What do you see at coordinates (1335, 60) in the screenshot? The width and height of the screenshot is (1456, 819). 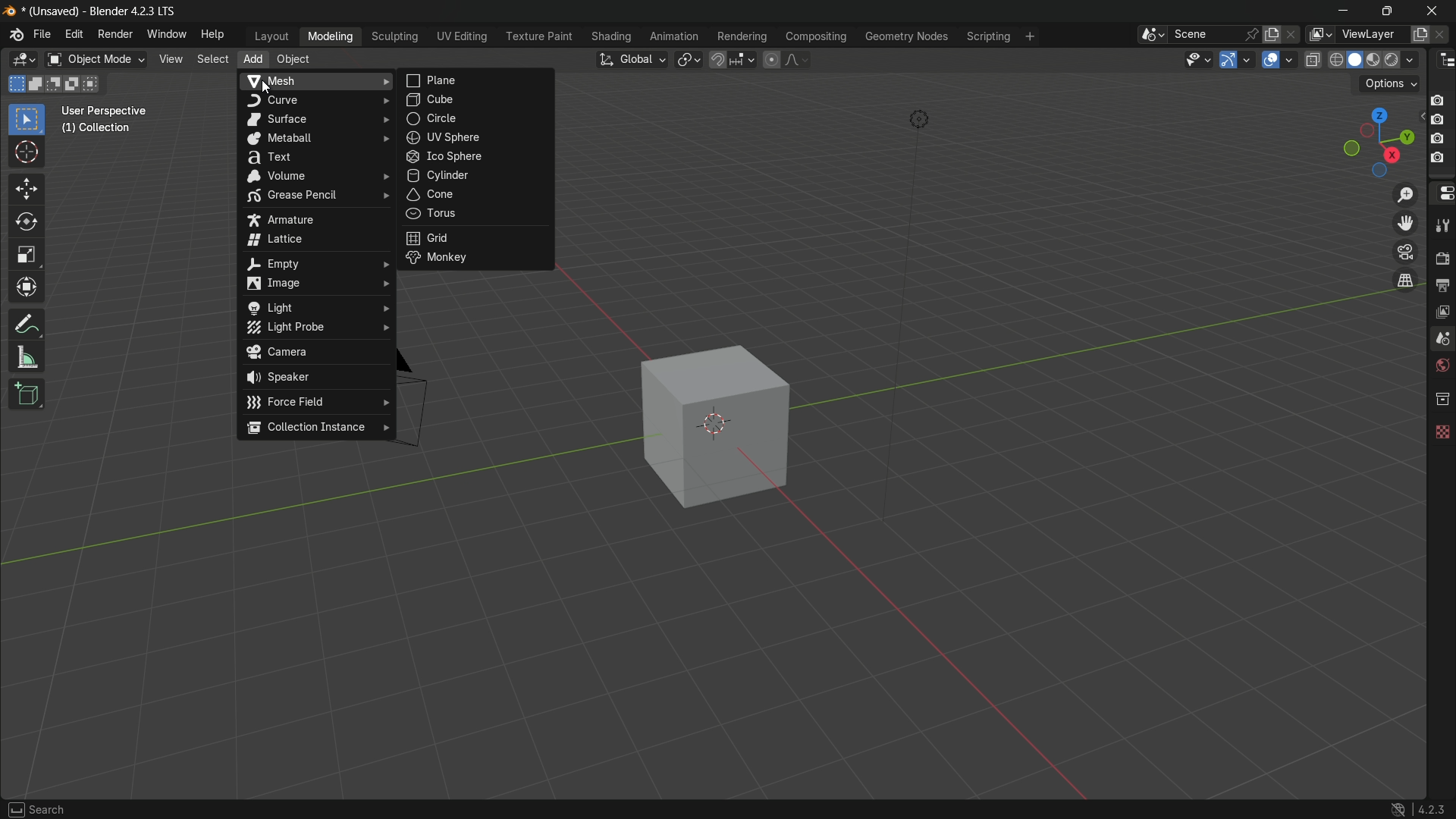 I see `wireframe display` at bounding box center [1335, 60].